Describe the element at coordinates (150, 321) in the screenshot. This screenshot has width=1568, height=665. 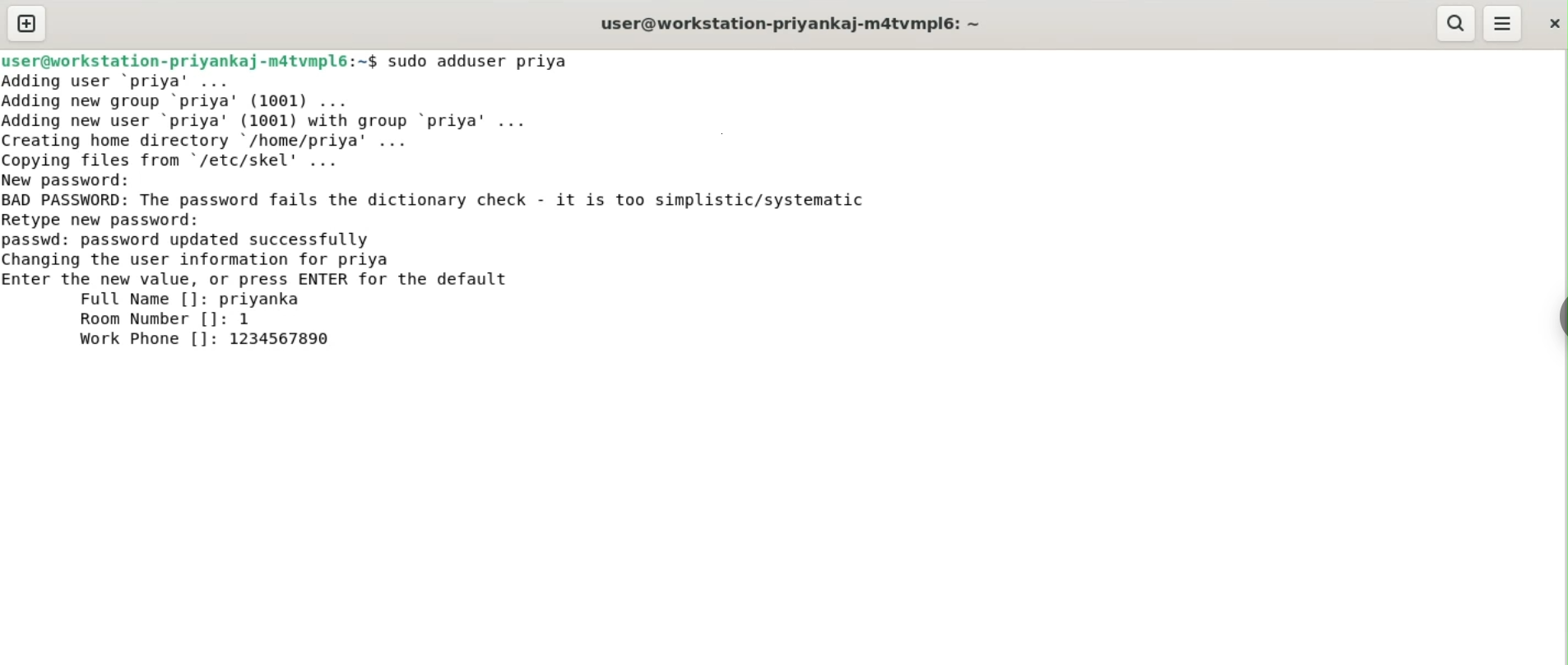
I see `room number []:` at that location.